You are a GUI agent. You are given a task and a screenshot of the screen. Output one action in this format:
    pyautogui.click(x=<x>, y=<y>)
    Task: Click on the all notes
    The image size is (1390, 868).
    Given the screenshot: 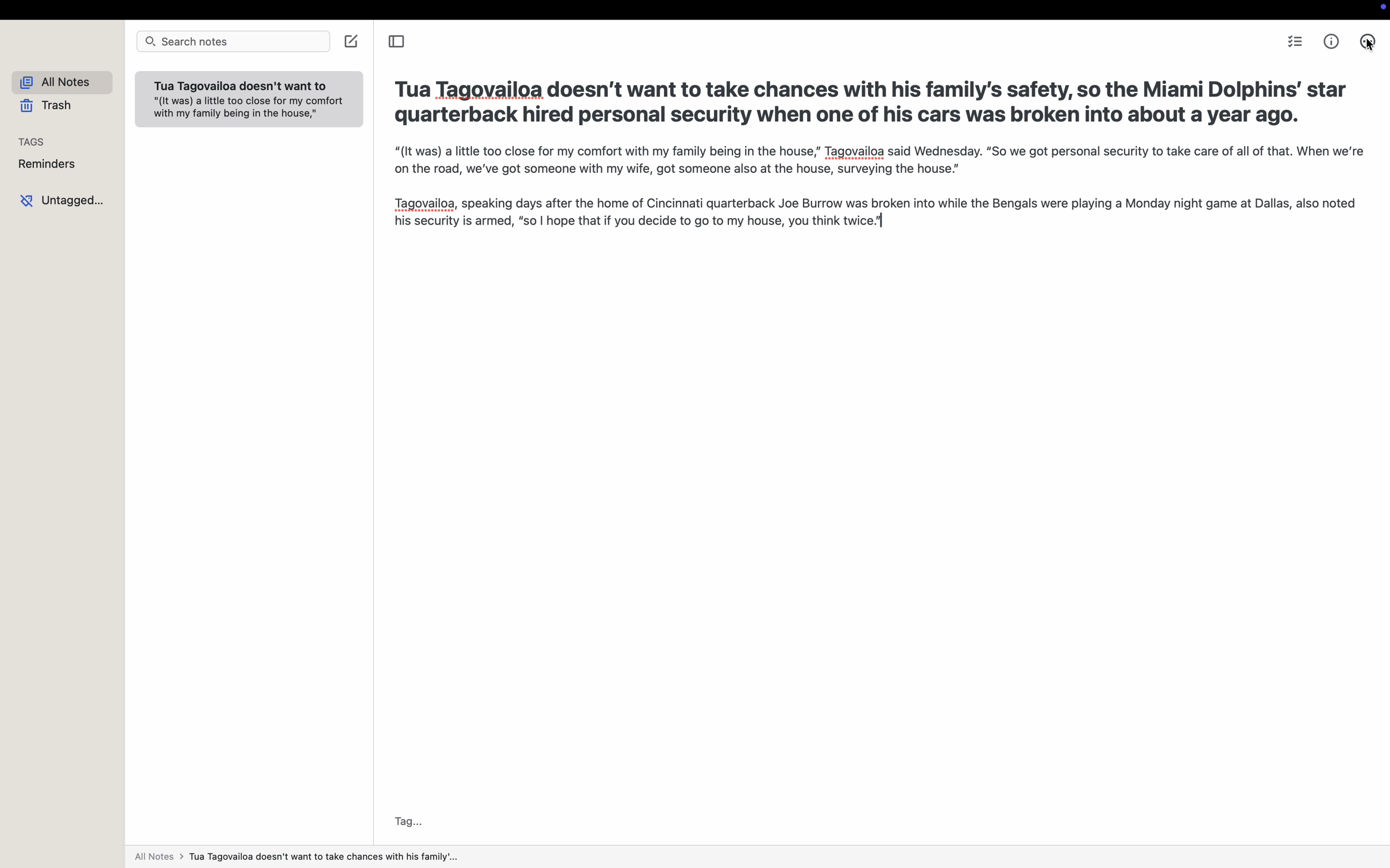 What is the action you would take?
    pyautogui.click(x=300, y=857)
    